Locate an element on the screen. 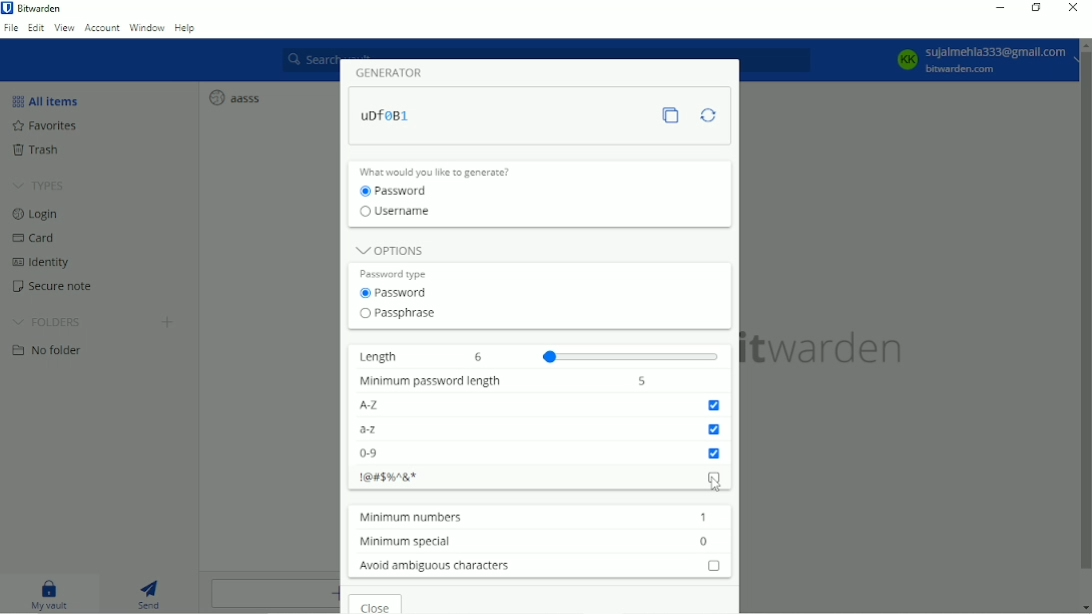 The height and width of the screenshot is (614, 1092). Special characters is located at coordinates (387, 479).